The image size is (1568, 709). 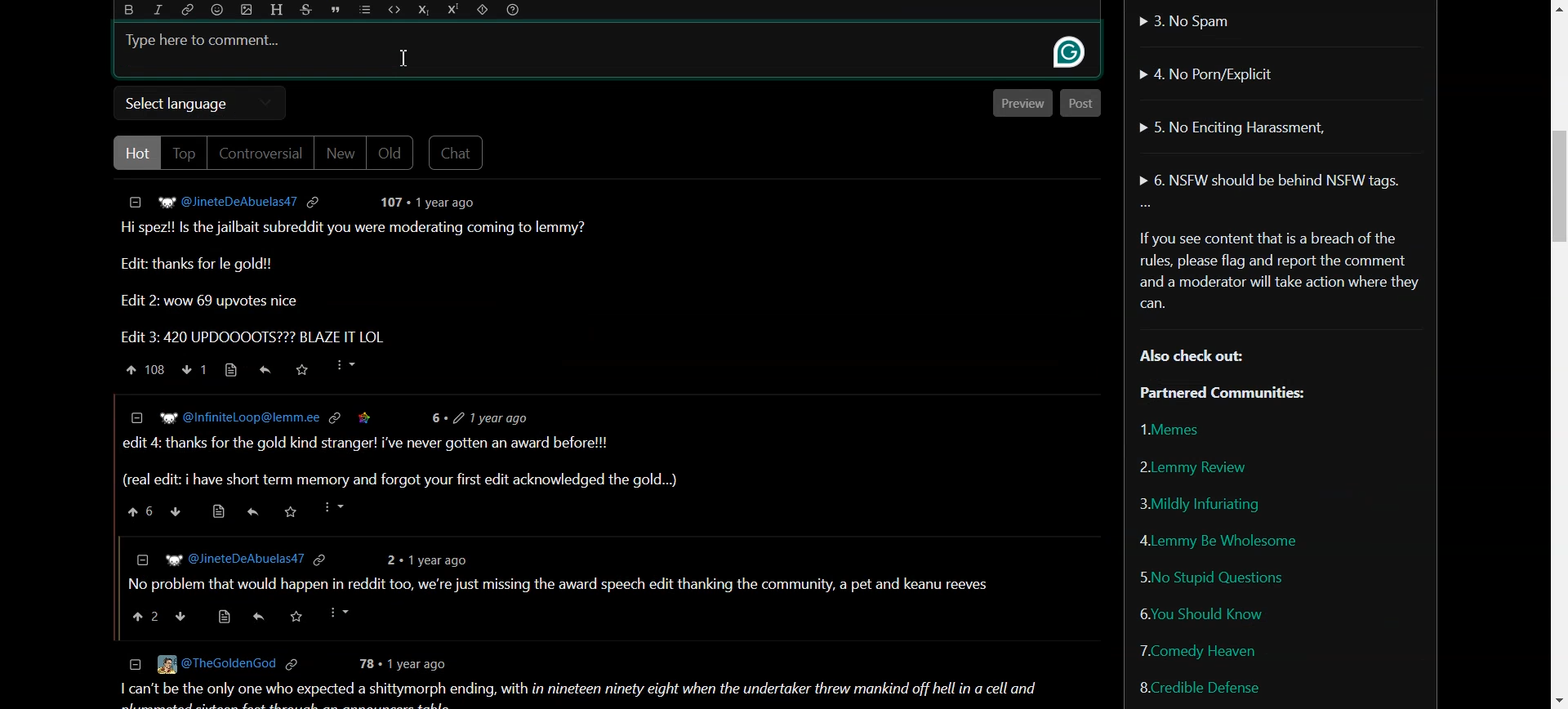 What do you see at coordinates (217, 10) in the screenshot?
I see `Emoji` at bounding box center [217, 10].